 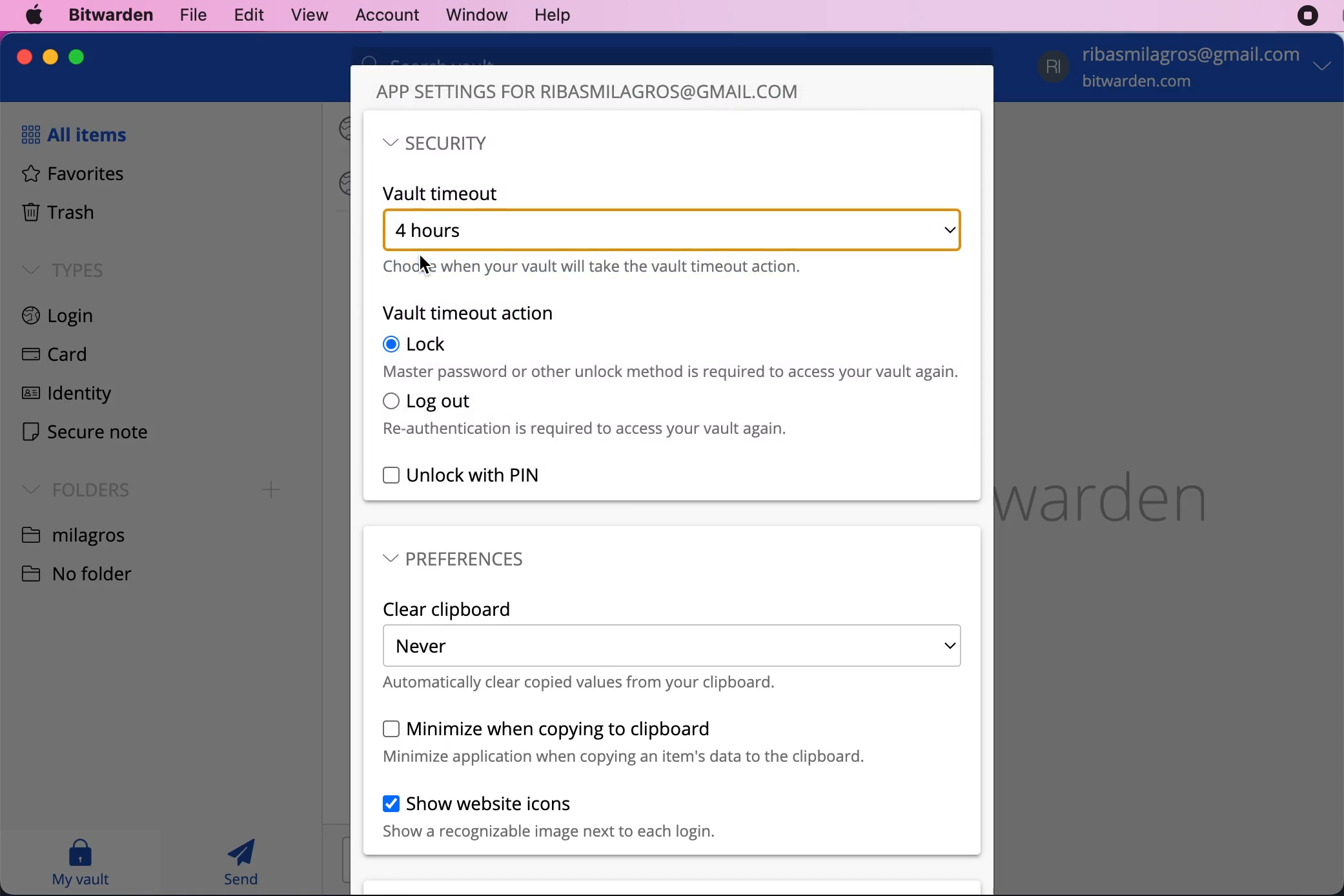 What do you see at coordinates (57, 214) in the screenshot?
I see `trash` at bounding box center [57, 214].